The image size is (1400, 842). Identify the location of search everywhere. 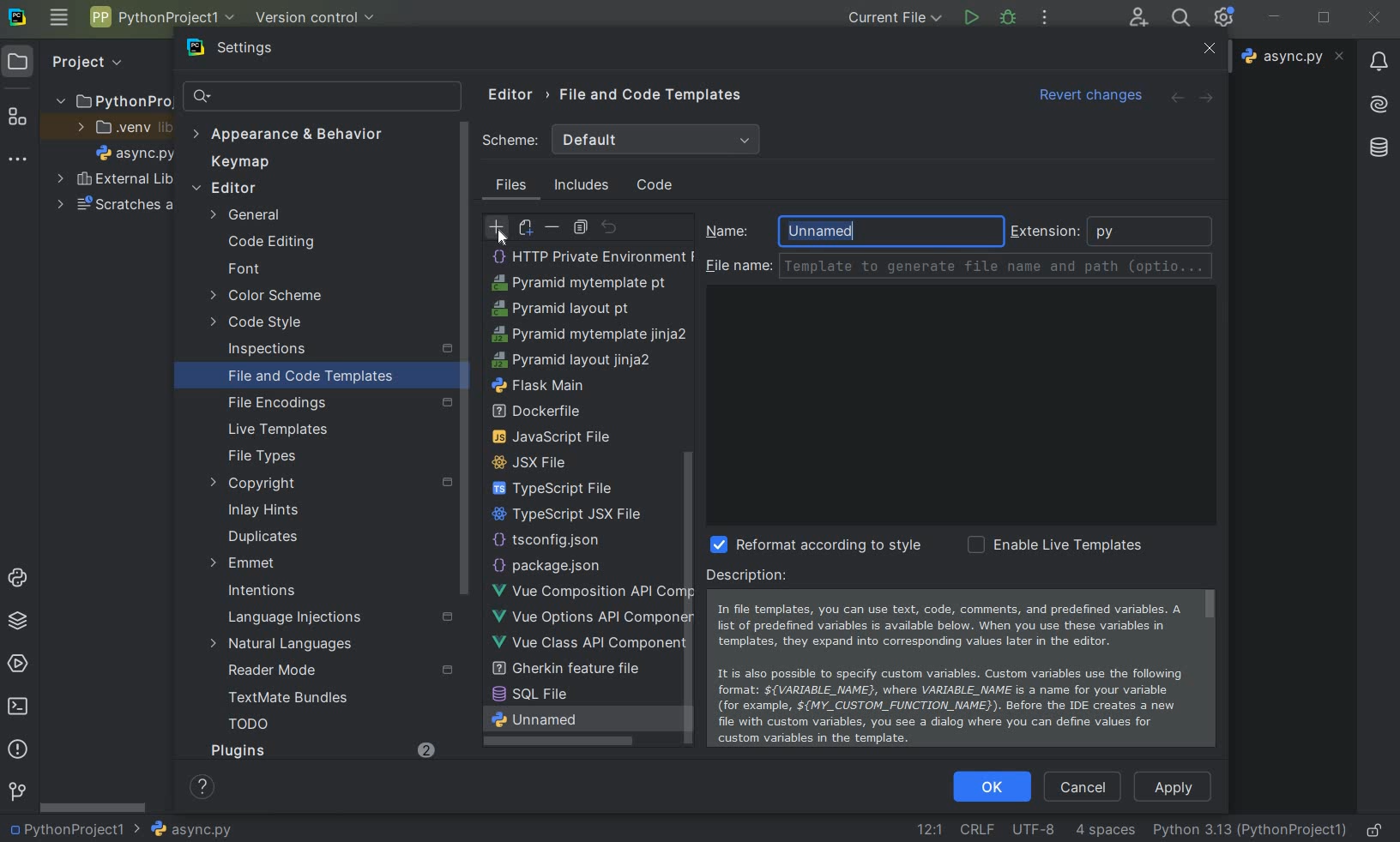
(1181, 19).